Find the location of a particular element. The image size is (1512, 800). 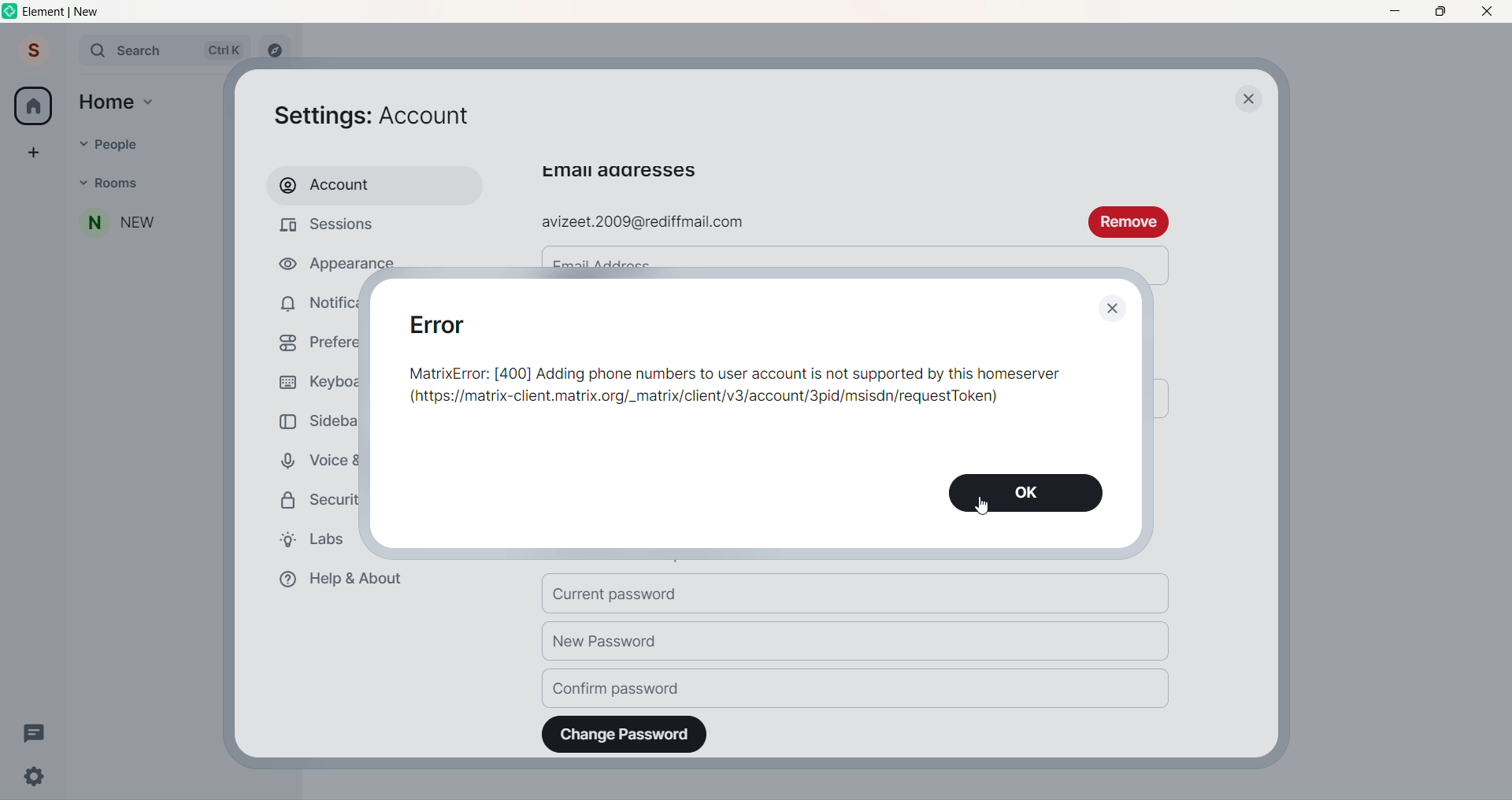

Keyboard is located at coordinates (313, 380).